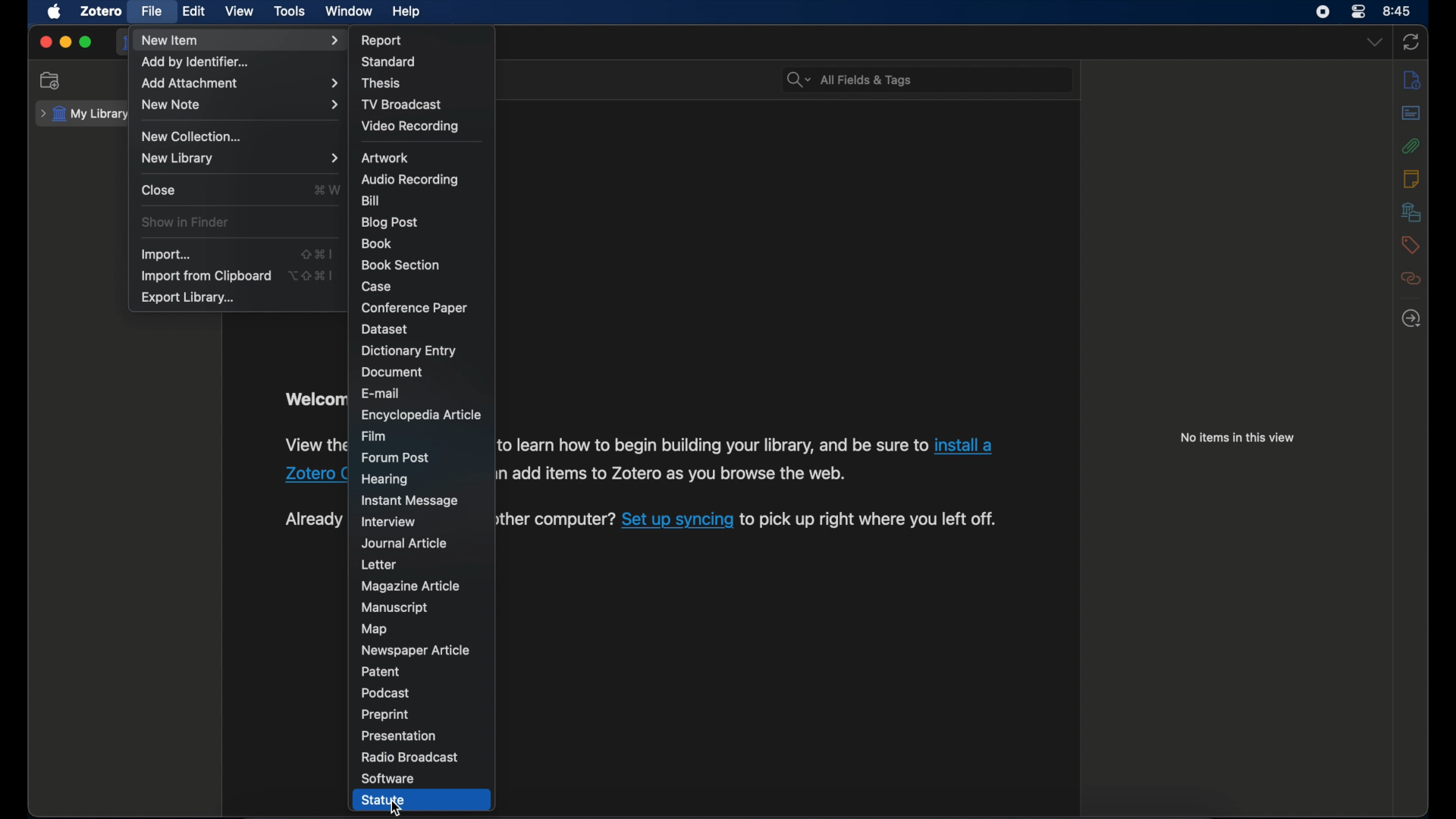 This screenshot has width=1456, height=819. What do you see at coordinates (414, 500) in the screenshot?
I see `instant message` at bounding box center [414, 500].